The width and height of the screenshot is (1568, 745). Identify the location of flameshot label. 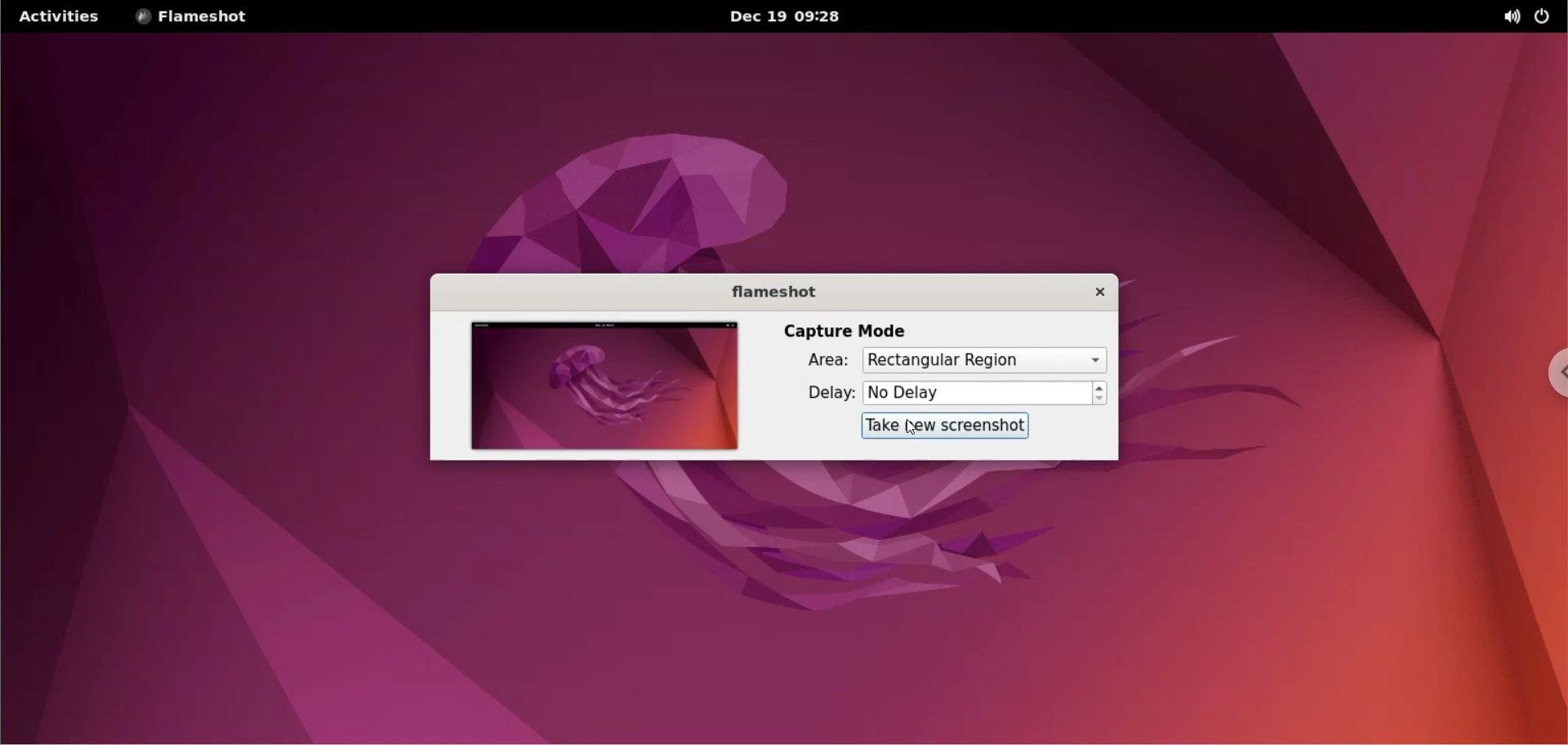
(778, 292).